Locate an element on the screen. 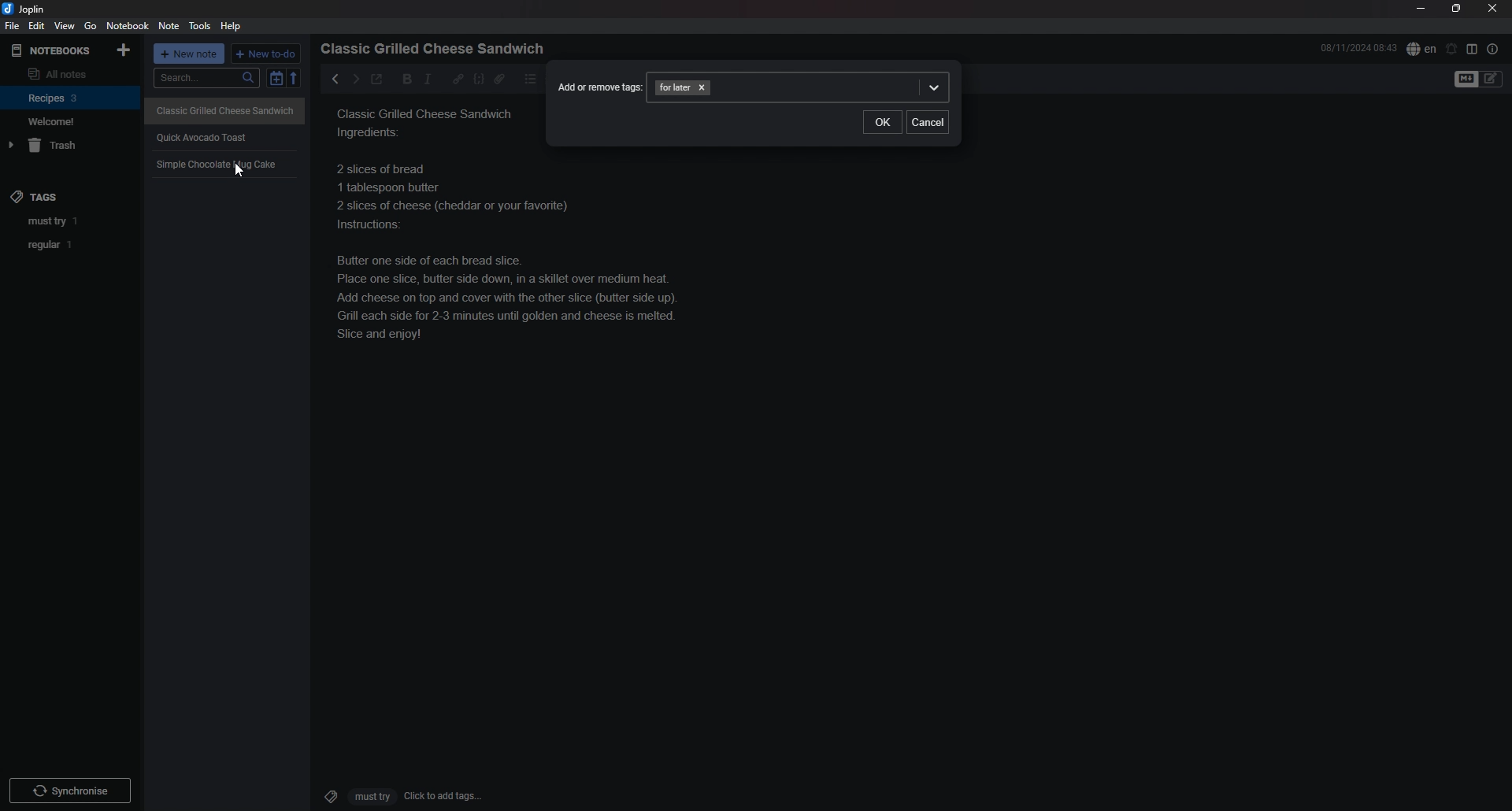  notebooks is located at coordinates (53, 50).